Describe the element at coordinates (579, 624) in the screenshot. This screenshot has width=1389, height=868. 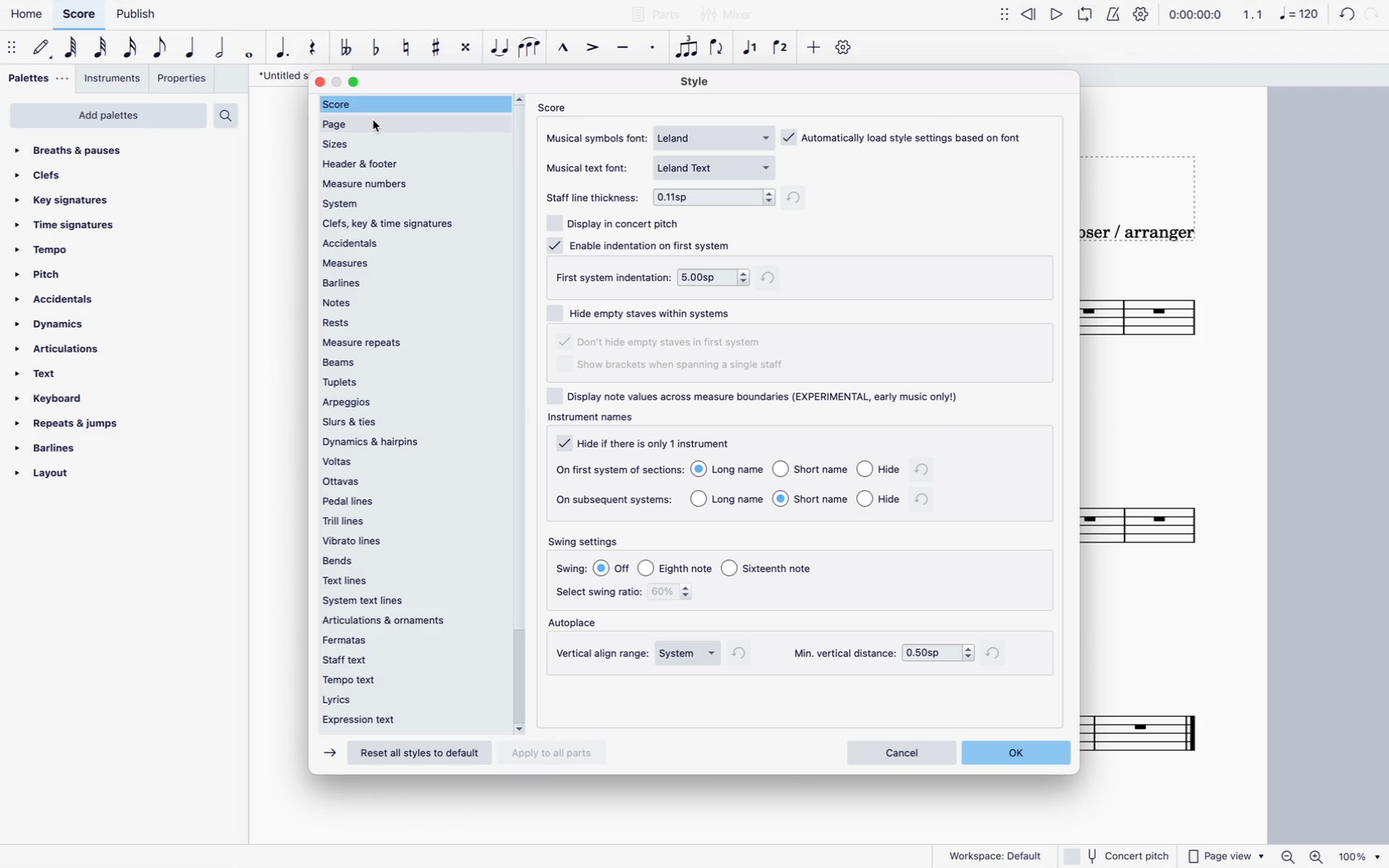
I see `autoplace` at that location.